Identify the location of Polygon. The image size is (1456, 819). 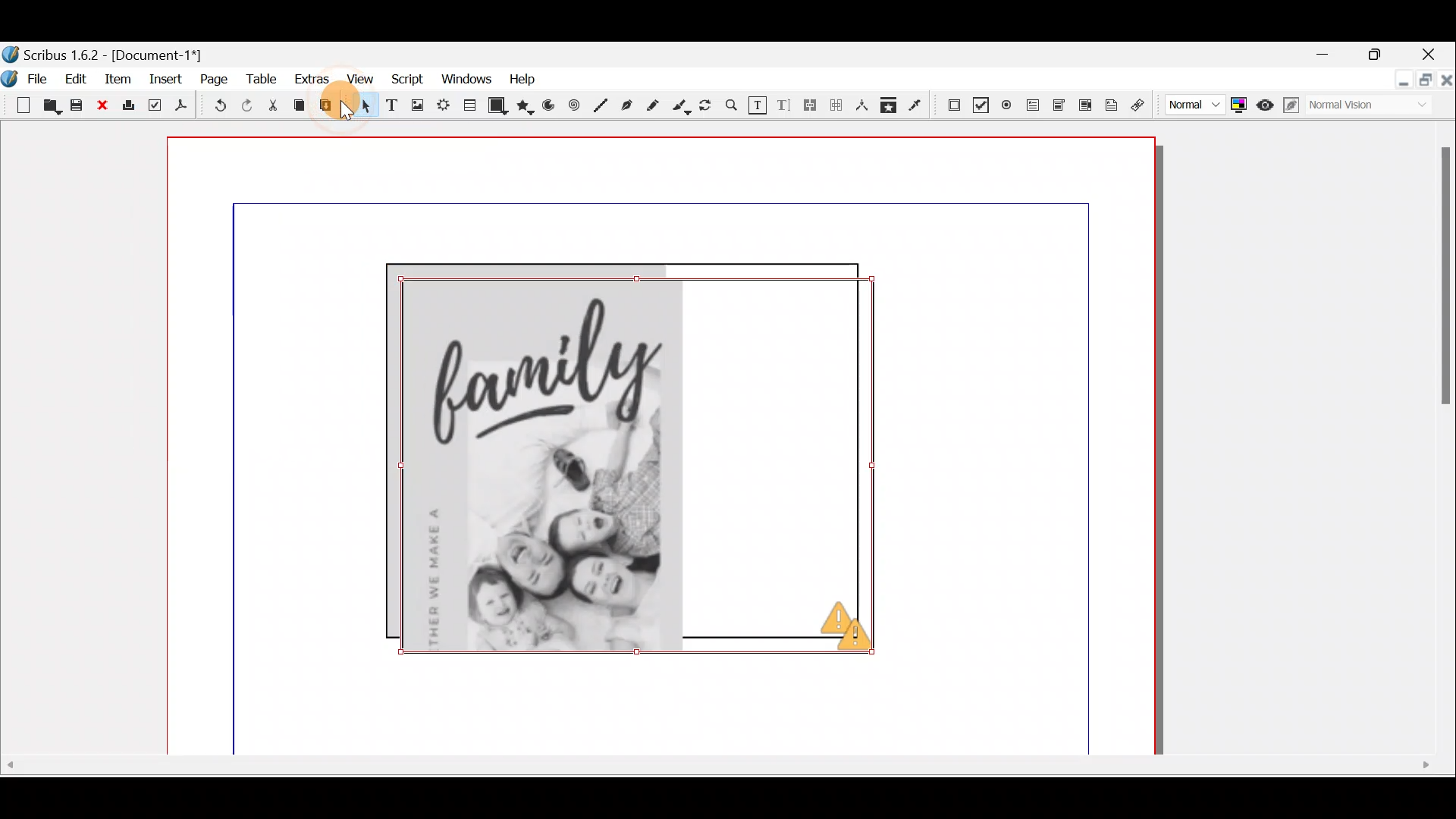
(527, 104).